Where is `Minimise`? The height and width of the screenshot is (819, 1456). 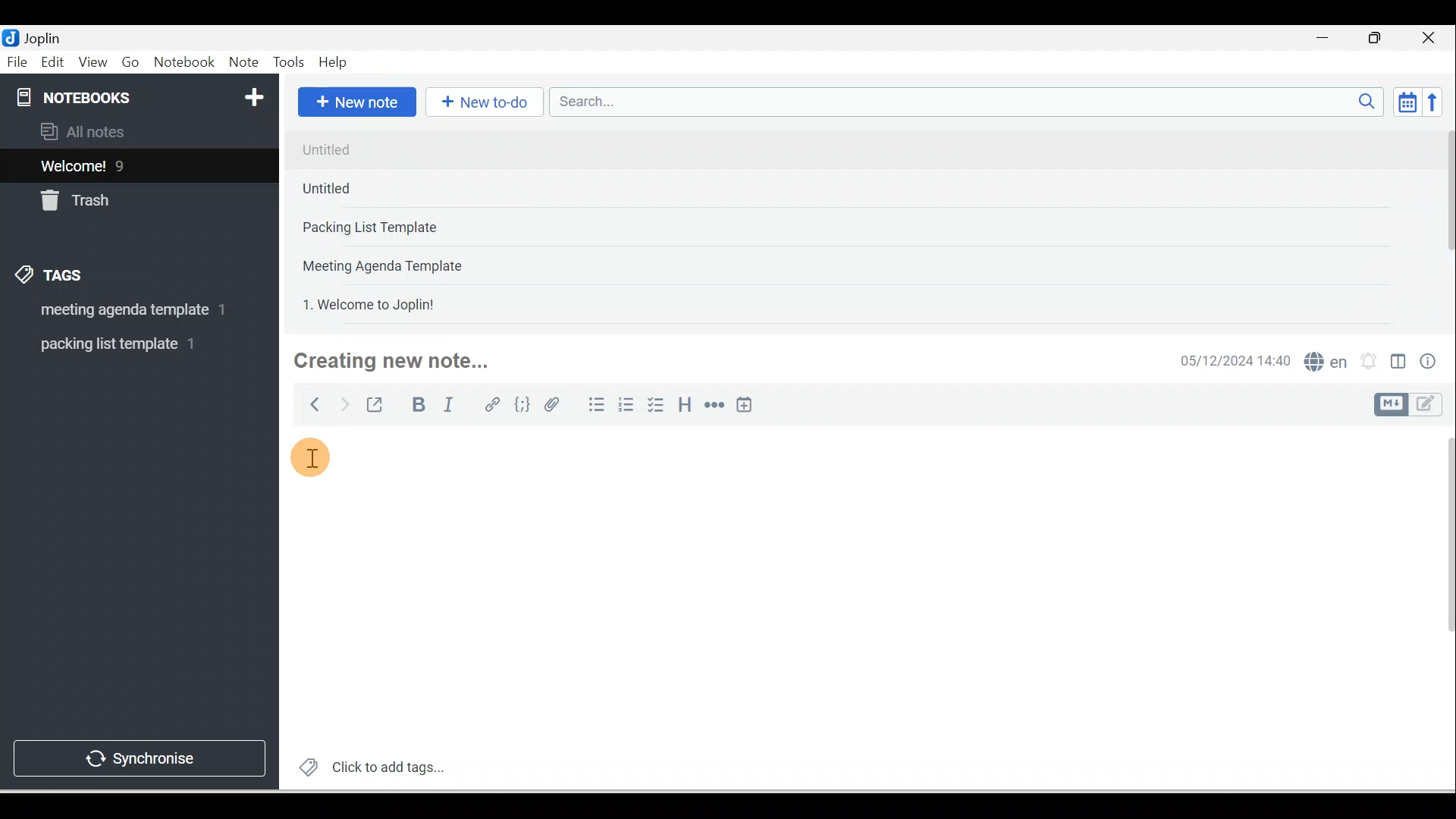
Minimise is located at coordinates (1327, 39).